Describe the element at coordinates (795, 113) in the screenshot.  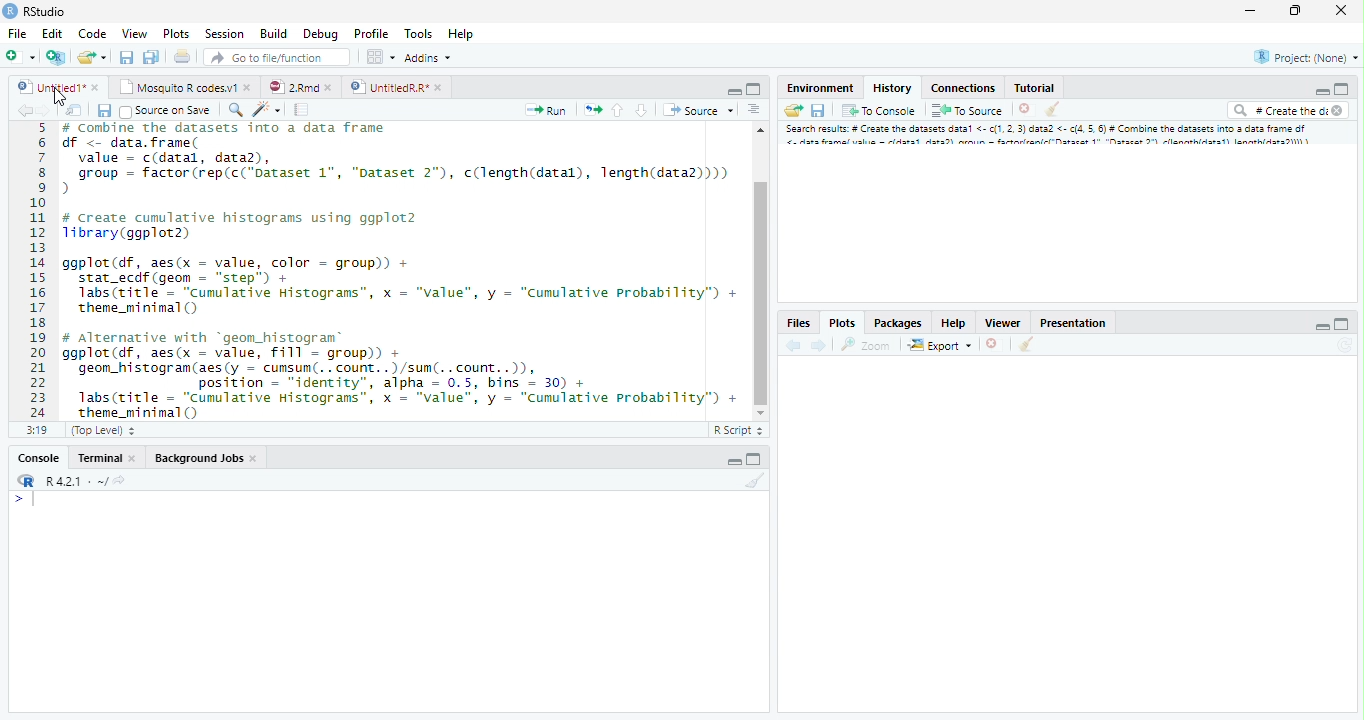
I see `Load Workspace` at that location.